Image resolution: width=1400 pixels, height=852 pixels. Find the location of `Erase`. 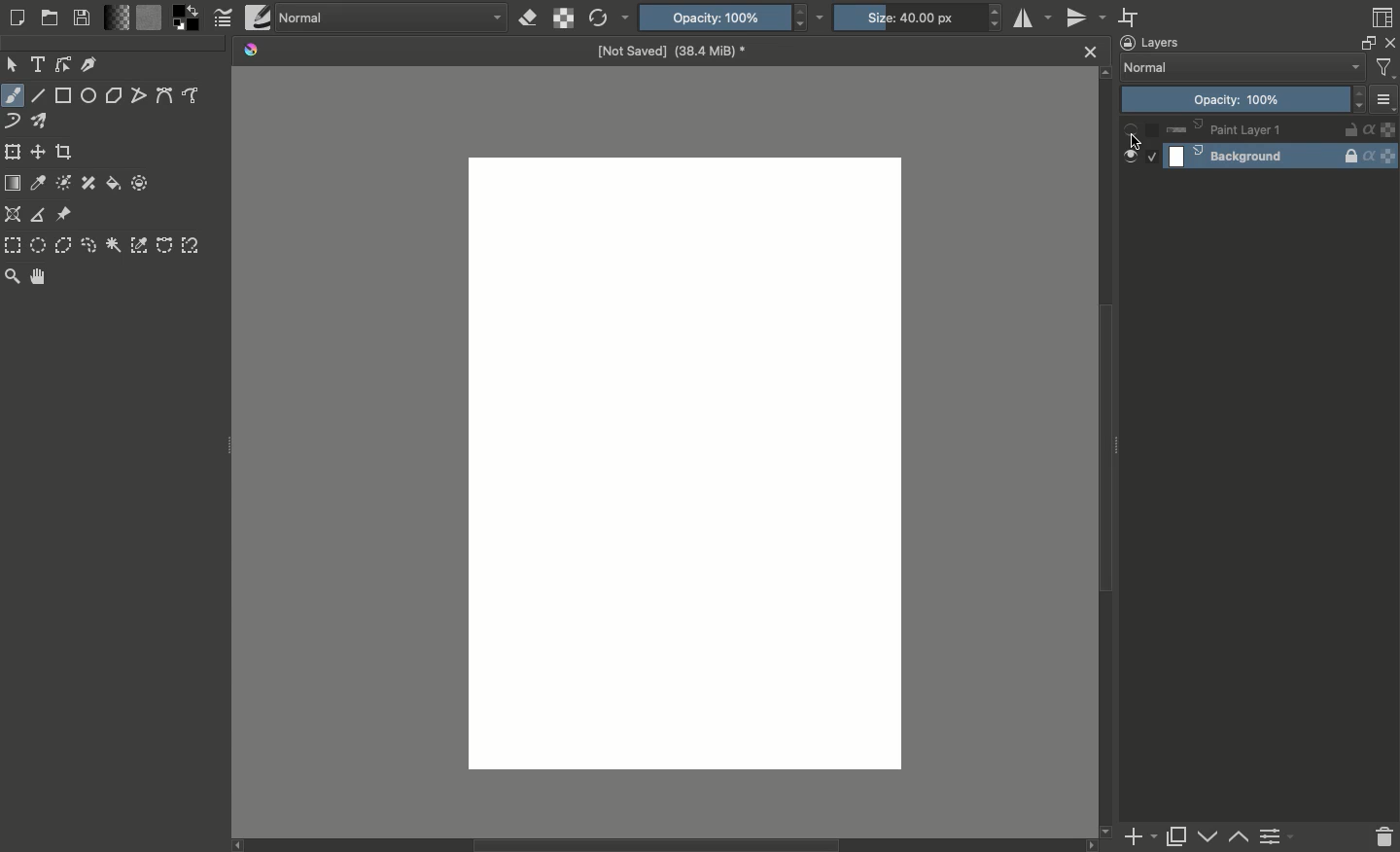

Erase is located at coordinates (531, 18).